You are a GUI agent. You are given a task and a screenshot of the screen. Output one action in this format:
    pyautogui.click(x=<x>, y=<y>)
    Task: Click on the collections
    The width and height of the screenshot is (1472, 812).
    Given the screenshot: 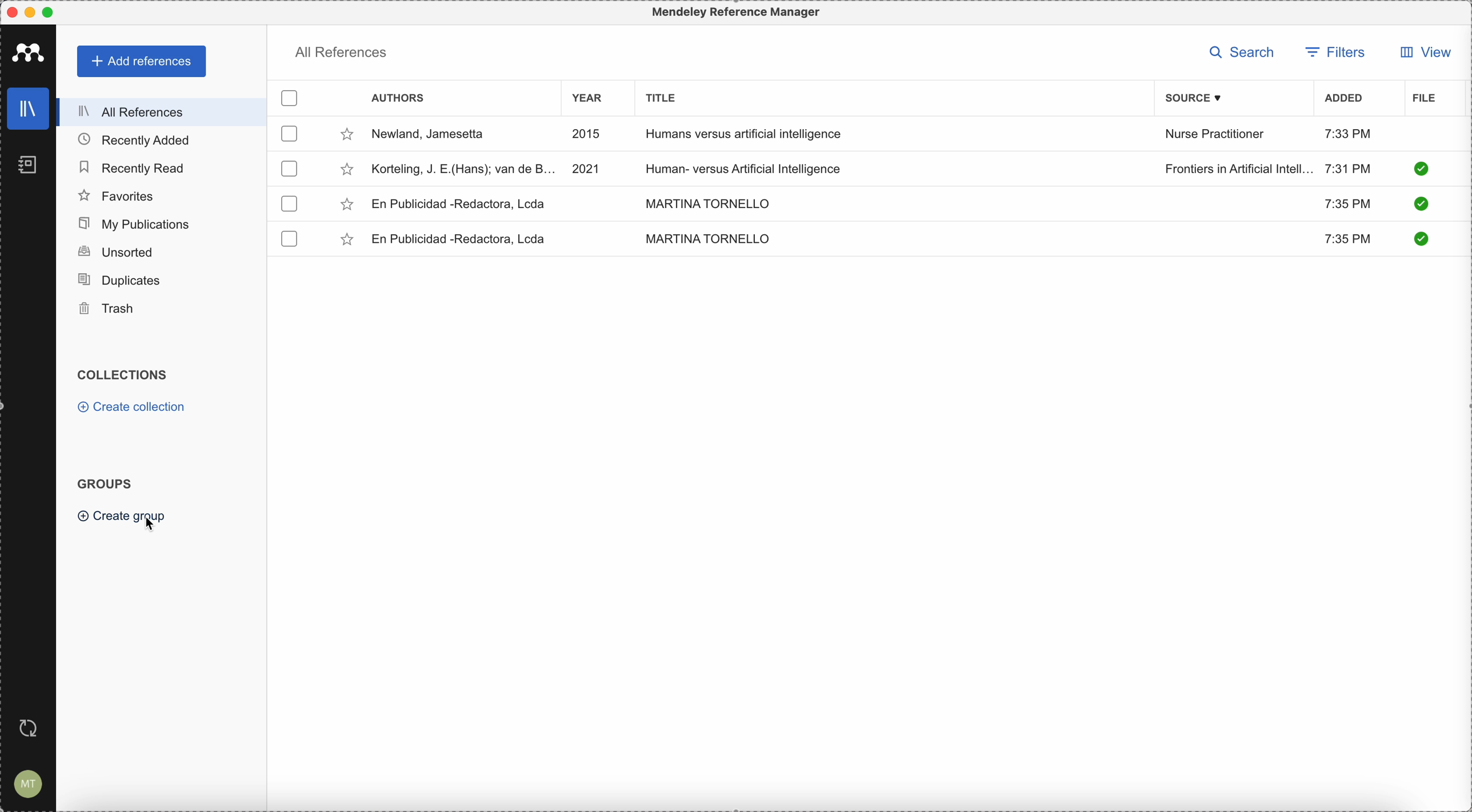 What is the action you would take?
    pyautogui.click(x=125, y=375)
    